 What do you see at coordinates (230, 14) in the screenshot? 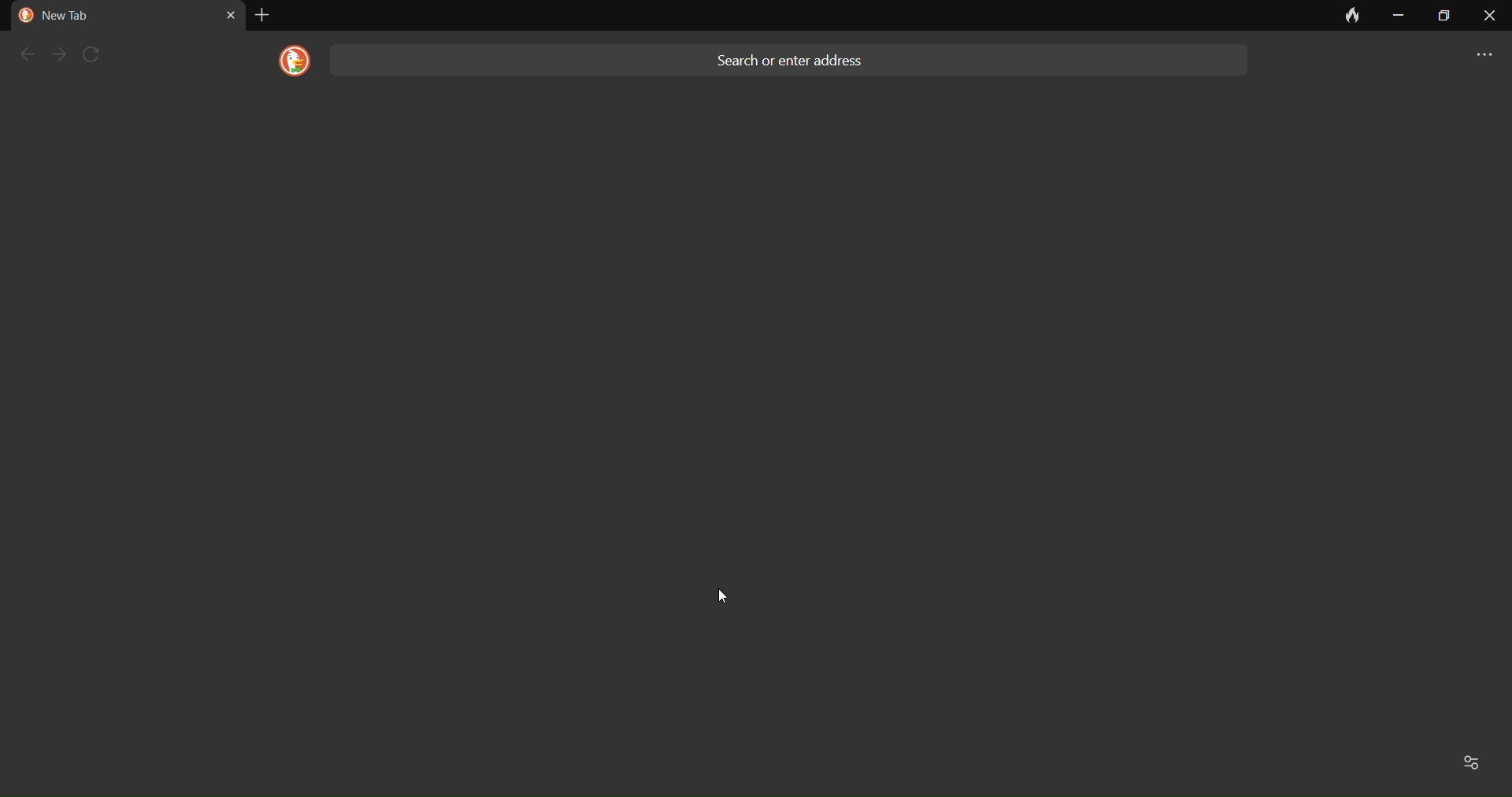
I see `close tab` at bounding box center [230, 14].